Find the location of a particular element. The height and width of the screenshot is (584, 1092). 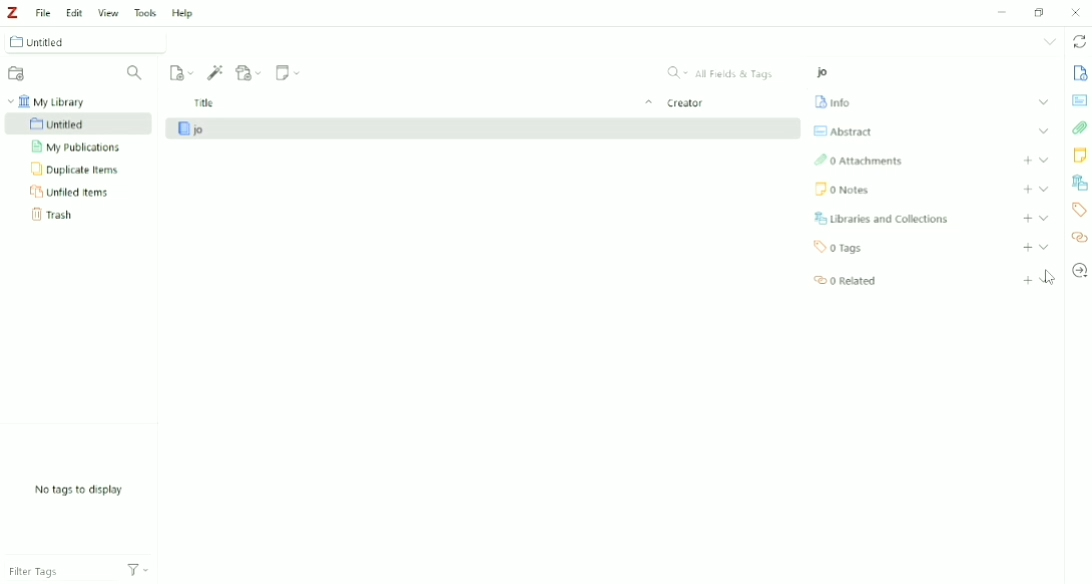

List all tabs is located at coordinates (1048, 42).